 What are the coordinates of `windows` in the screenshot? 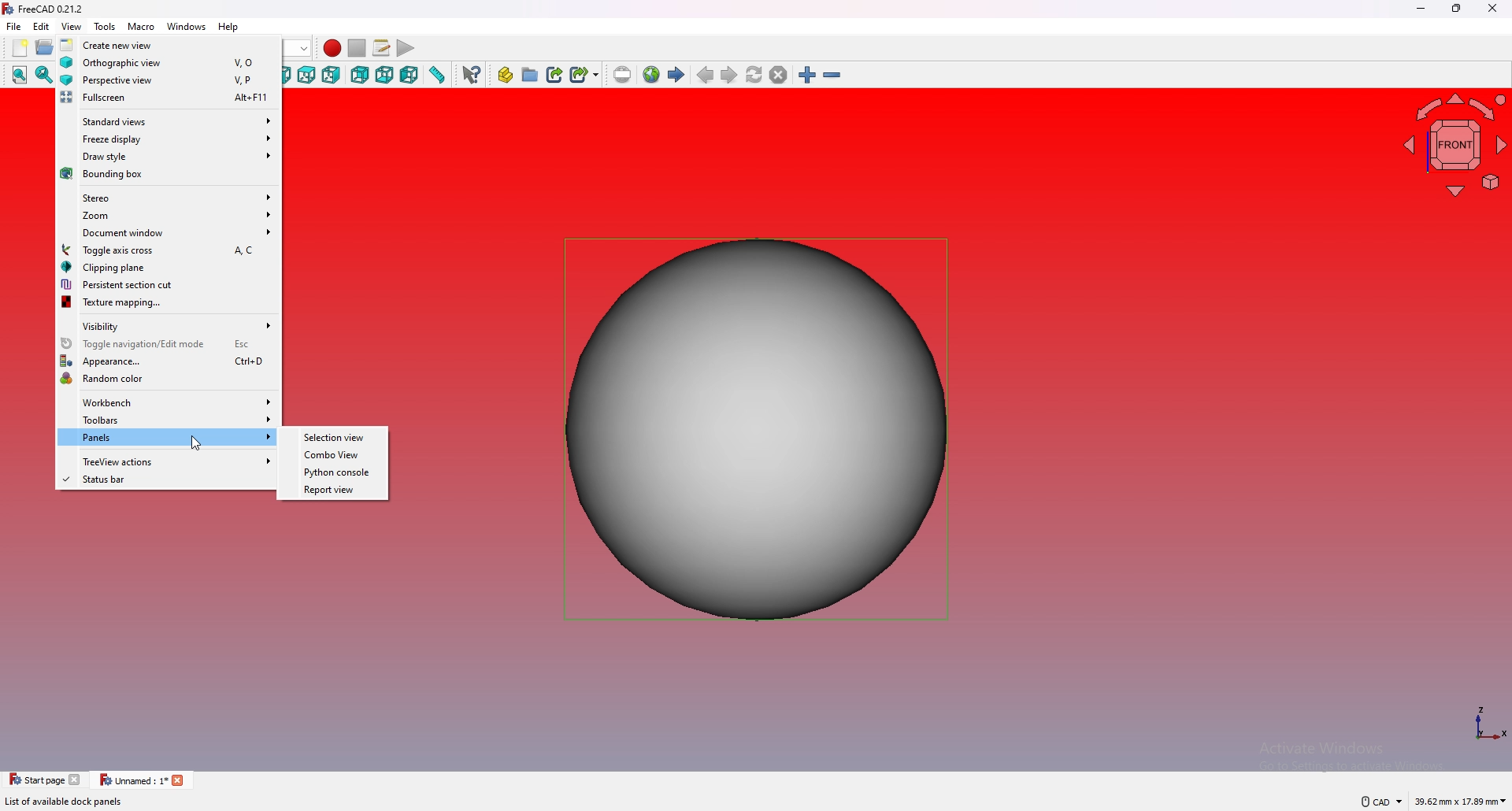 It's located at (187, 27).